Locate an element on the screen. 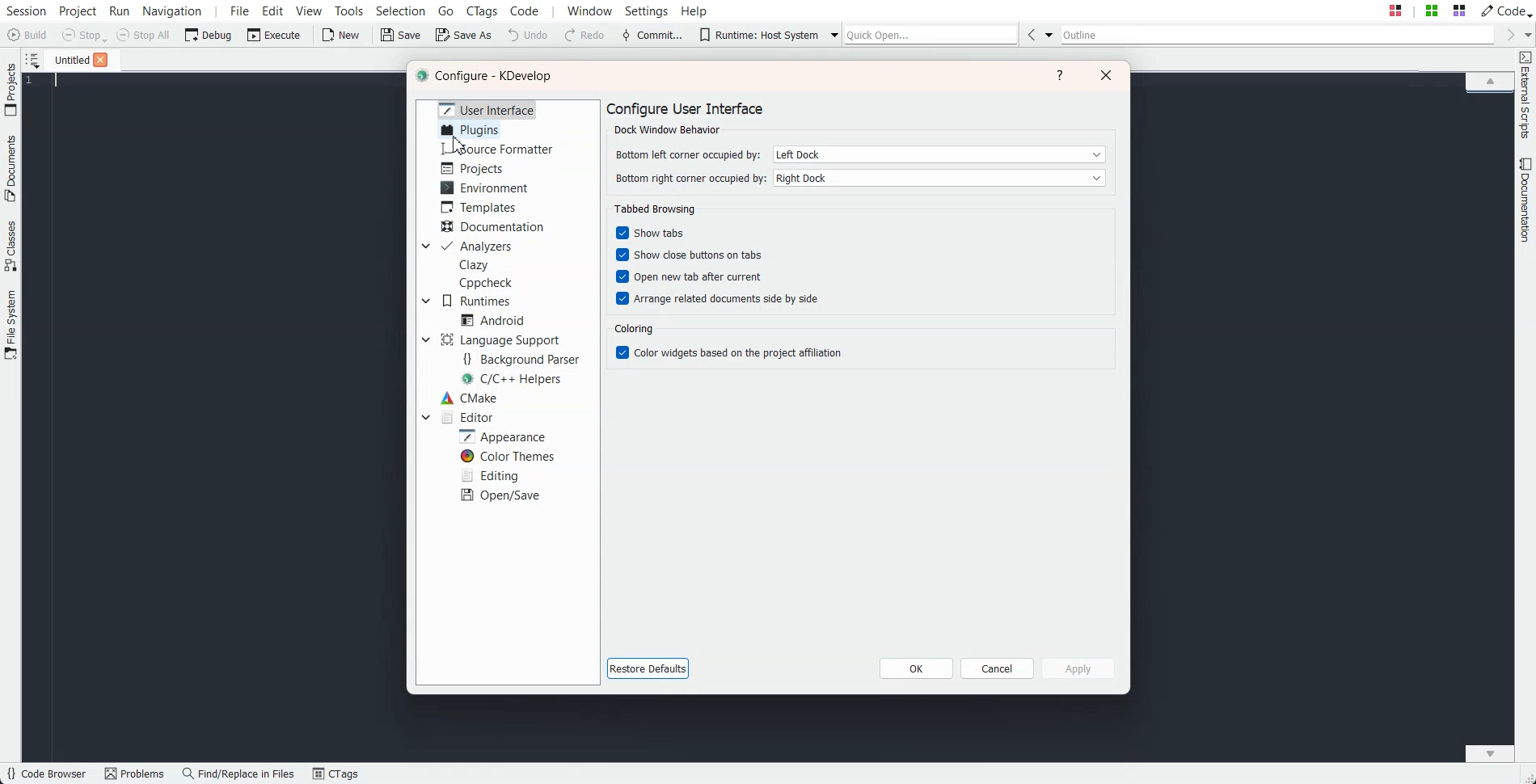  Color widgets based on the project affiliation is located at coordinates (727, 352).